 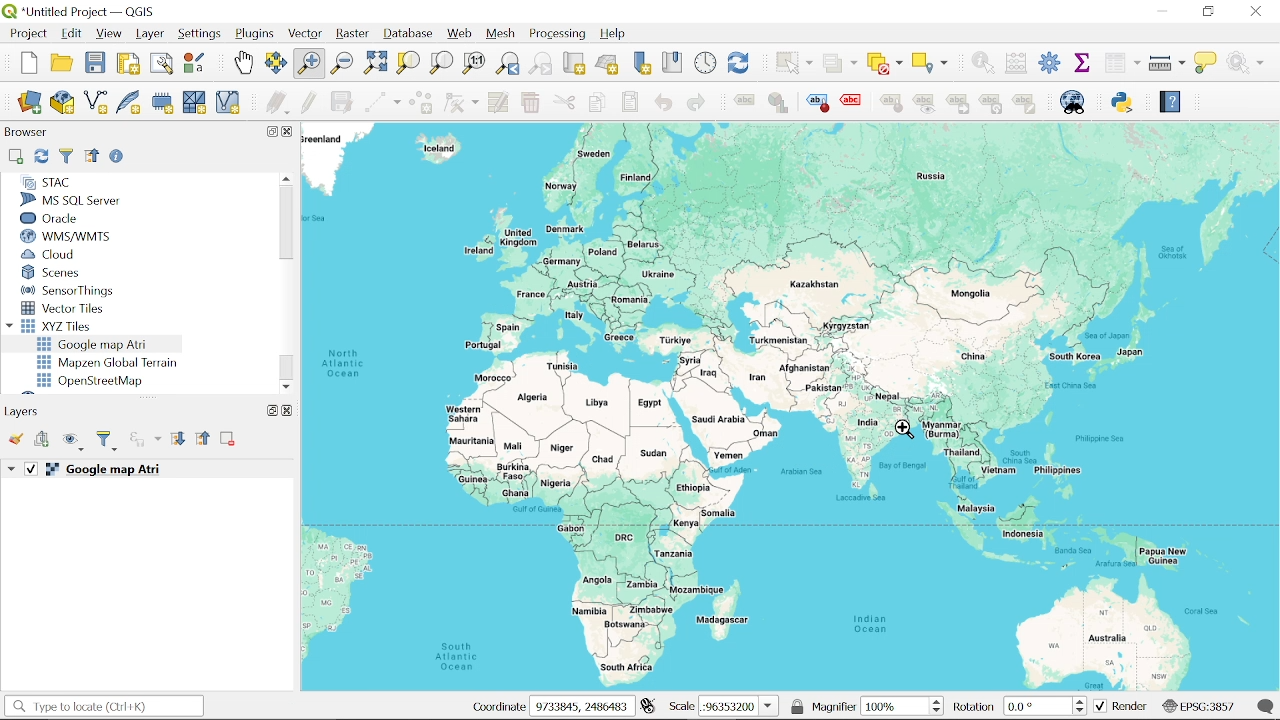 What do you see at coordinates (939, 711) in the screenshot?
I see `Decrease` at bounding box center [939, 711].